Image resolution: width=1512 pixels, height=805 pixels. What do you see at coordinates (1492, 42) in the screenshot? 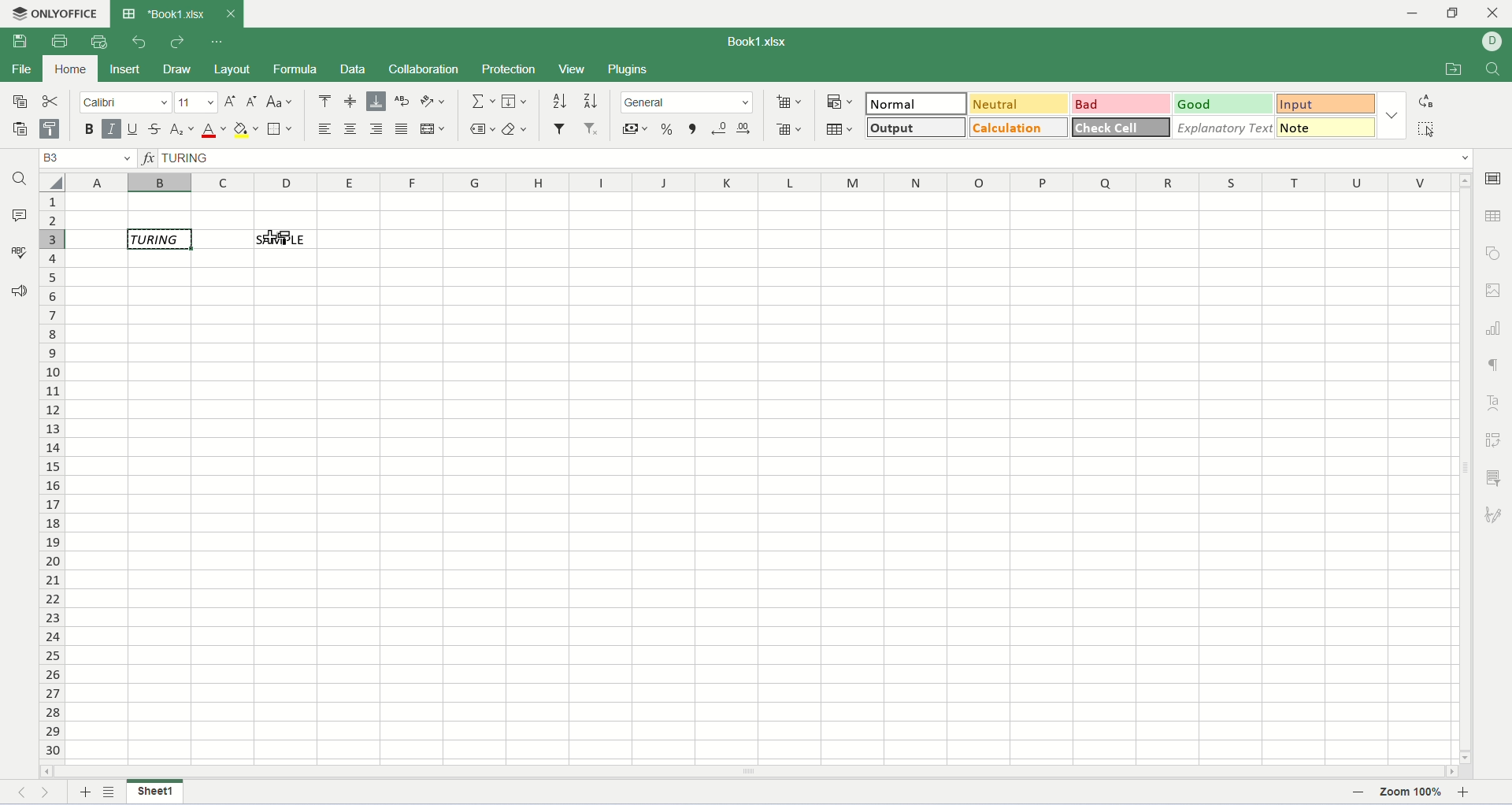
I see `username` at bounding box center [1492, 42].